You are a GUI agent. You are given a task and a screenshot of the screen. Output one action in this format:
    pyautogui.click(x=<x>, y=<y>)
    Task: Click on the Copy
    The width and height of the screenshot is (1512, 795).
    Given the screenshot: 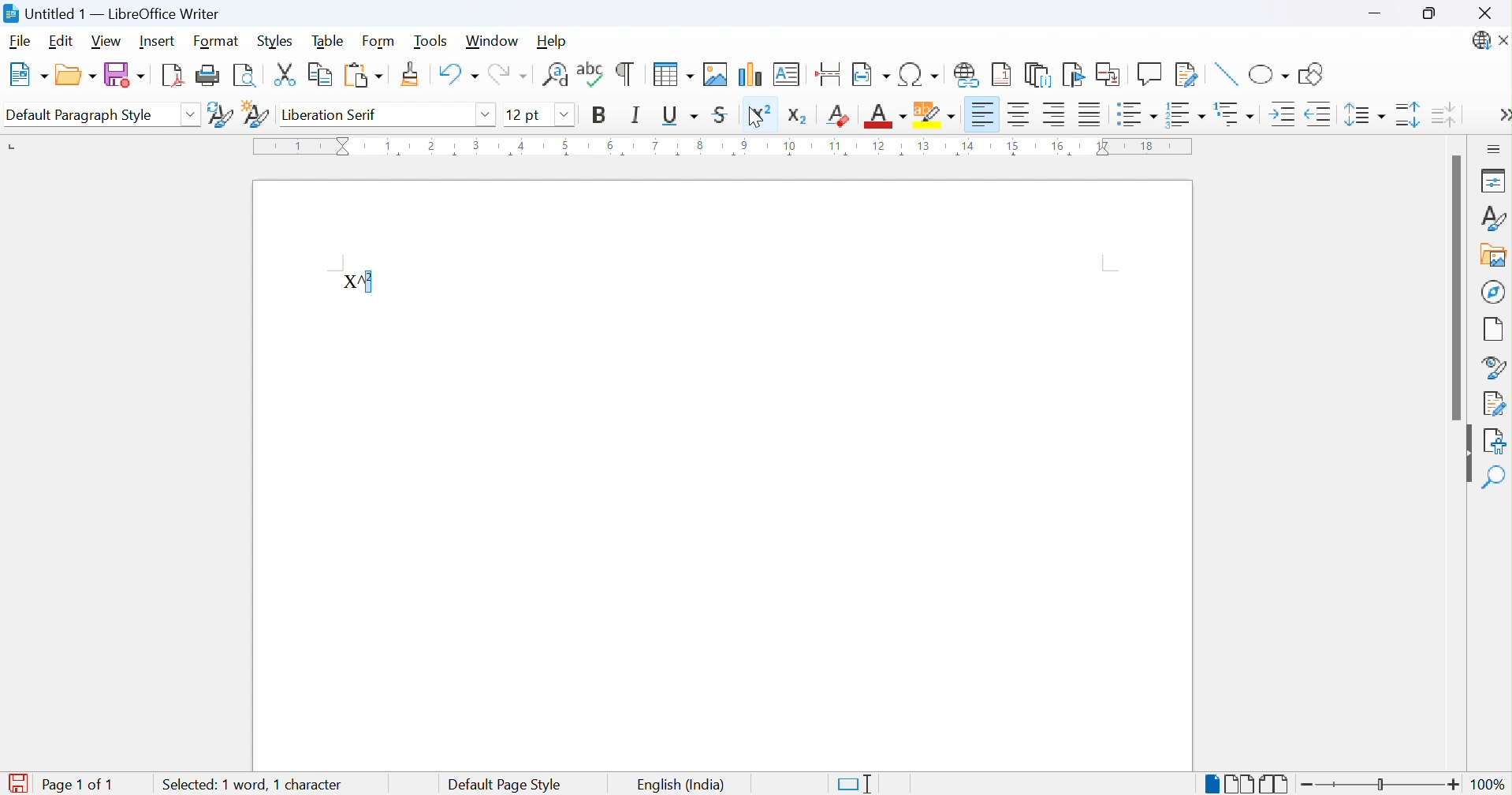 What is the action you would take?
    pyautogui.click(x=319, y=76)
    